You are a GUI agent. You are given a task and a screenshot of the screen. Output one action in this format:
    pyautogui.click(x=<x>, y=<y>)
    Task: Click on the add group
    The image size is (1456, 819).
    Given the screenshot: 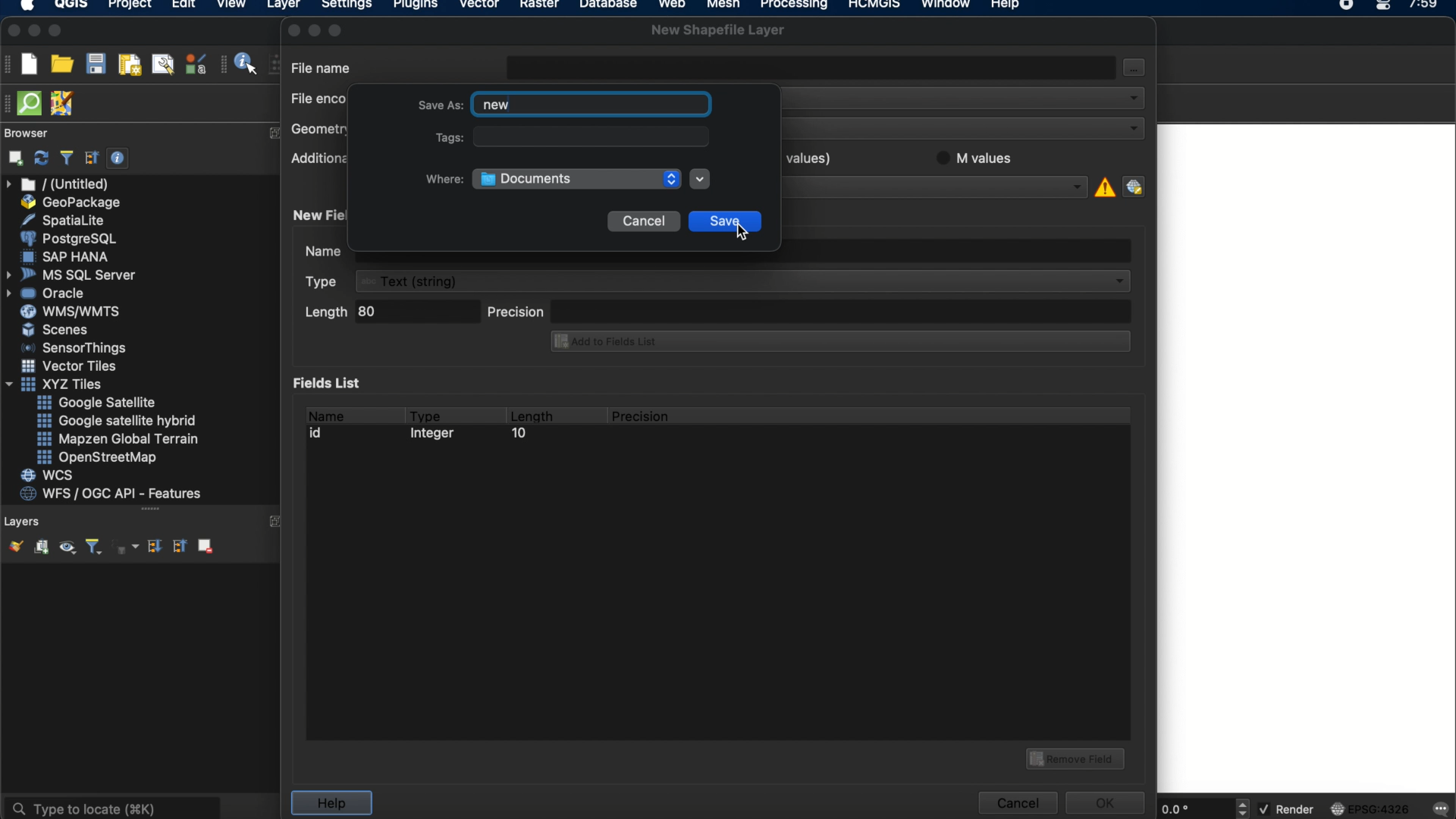 What is the action you would take?
    pyautogui.click(x=41, y=548)
    